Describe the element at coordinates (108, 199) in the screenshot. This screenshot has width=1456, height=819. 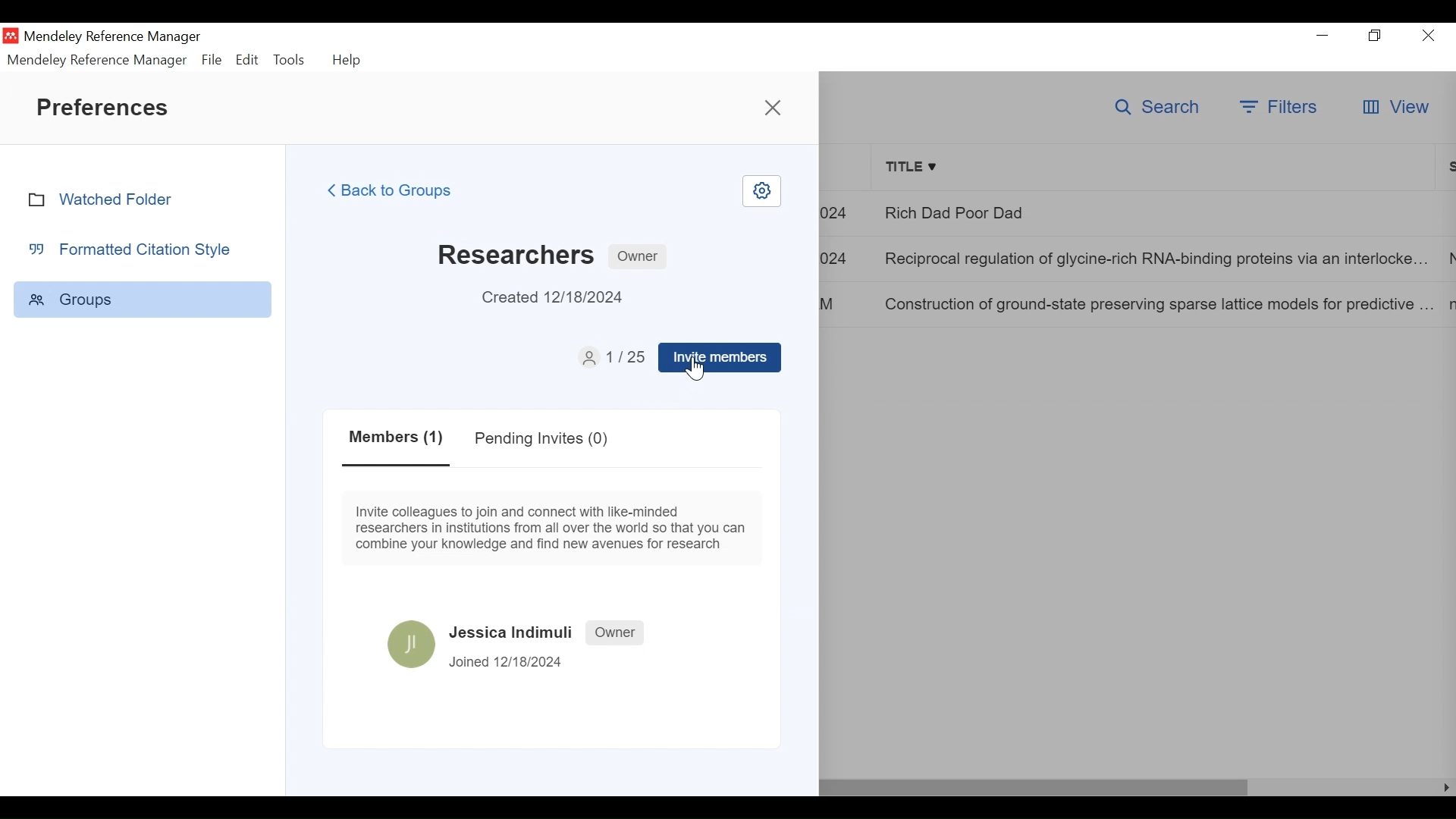
I see `Watched Folder` at that location.